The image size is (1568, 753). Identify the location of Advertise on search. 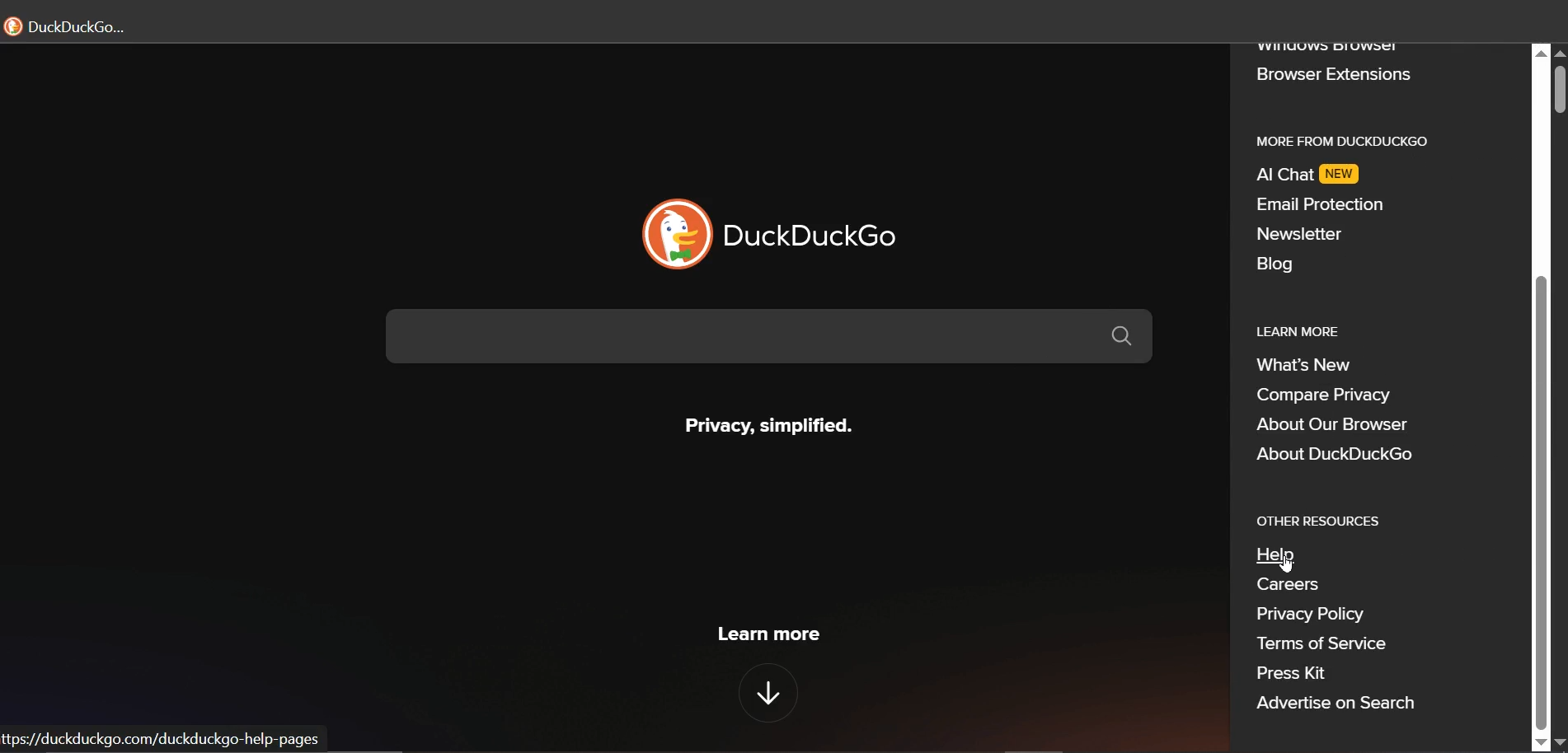
(1338, 704).